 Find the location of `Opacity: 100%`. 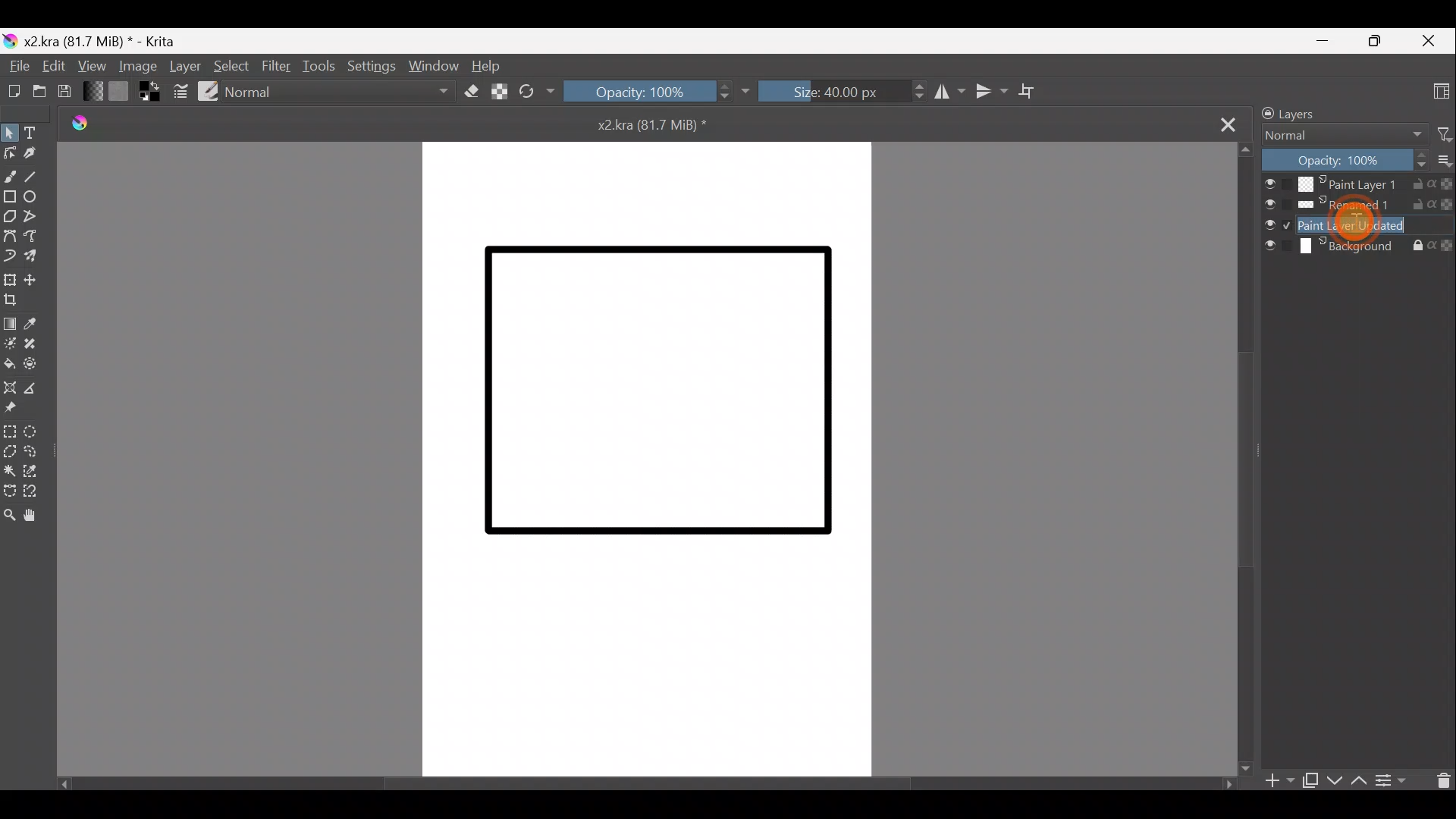

Opacity: 100% is located at coordinates (656, 94).